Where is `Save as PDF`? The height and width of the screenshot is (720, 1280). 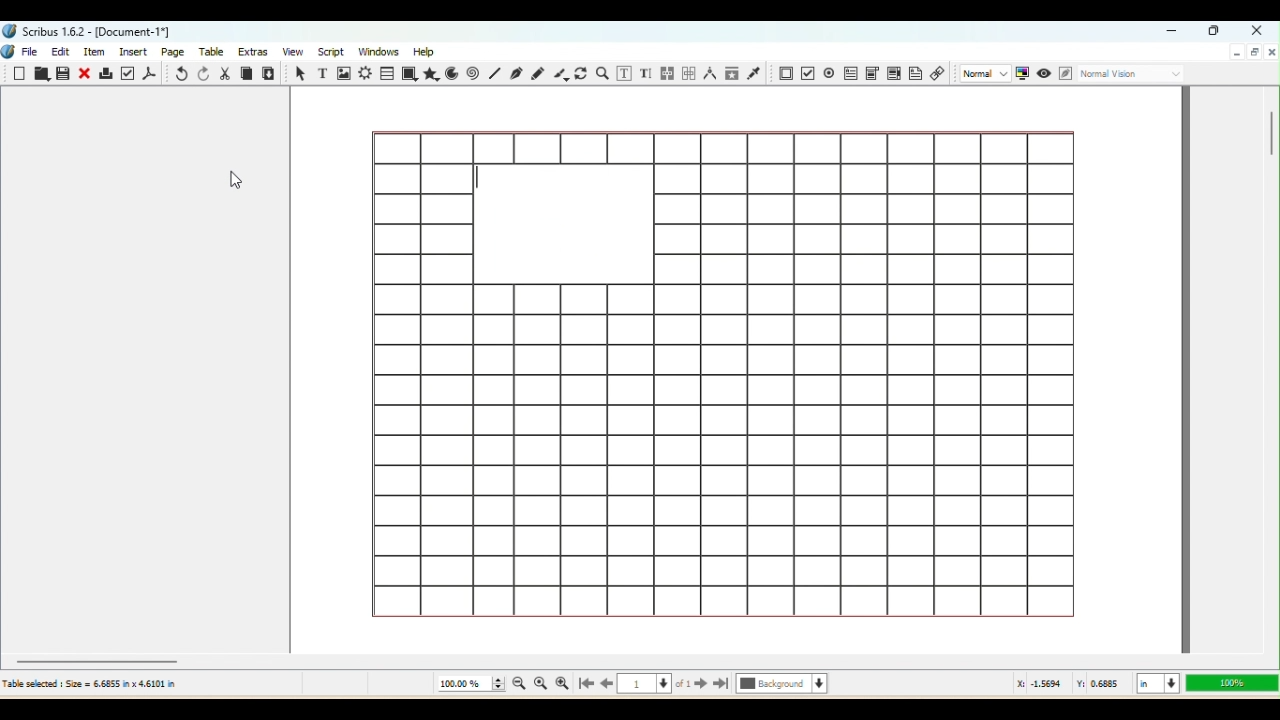 Save as PDF is located at coordinates (151, 73).